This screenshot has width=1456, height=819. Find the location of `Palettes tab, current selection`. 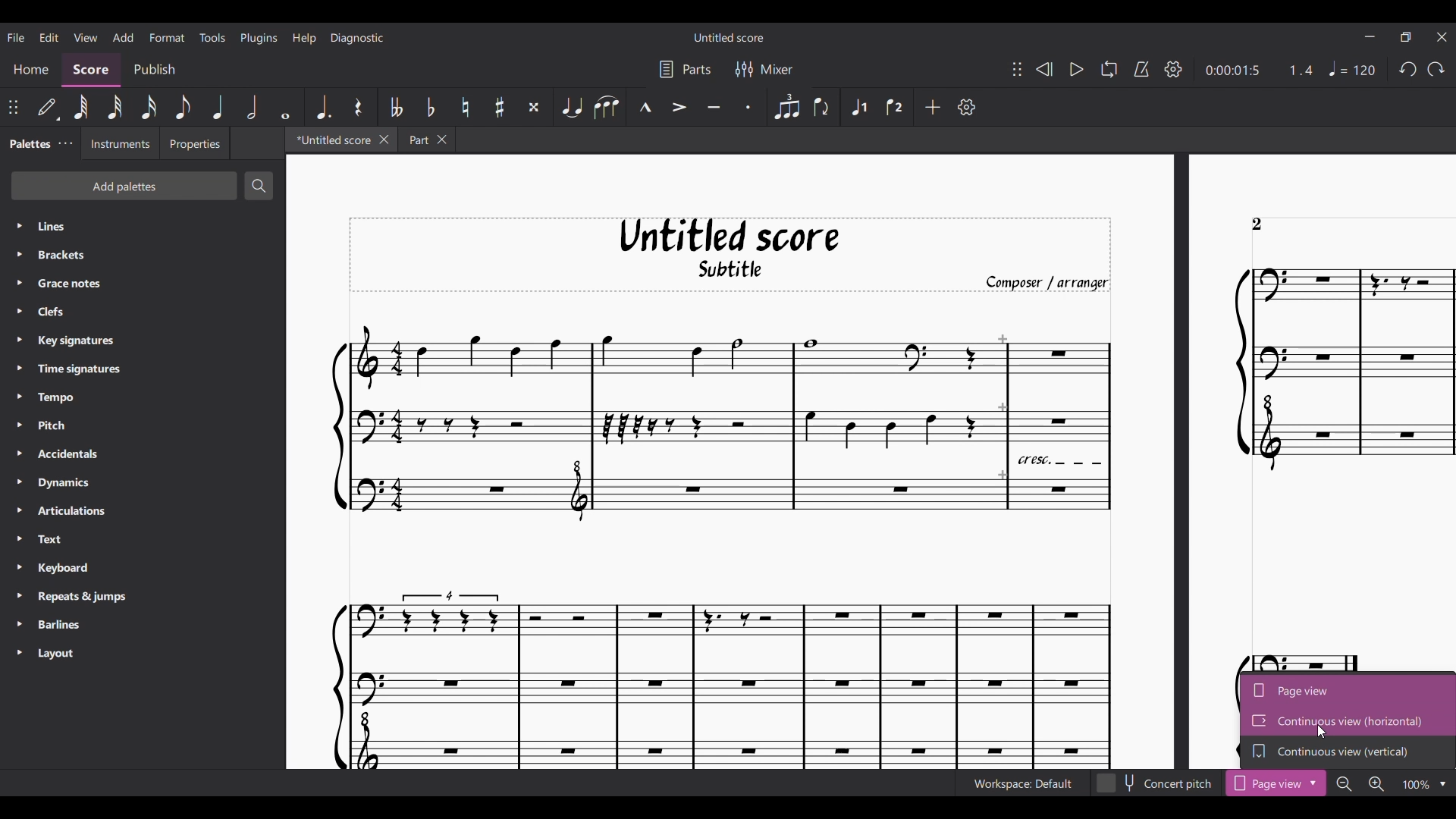

Palettes tab, current selection is located at coordinates (29, 144).